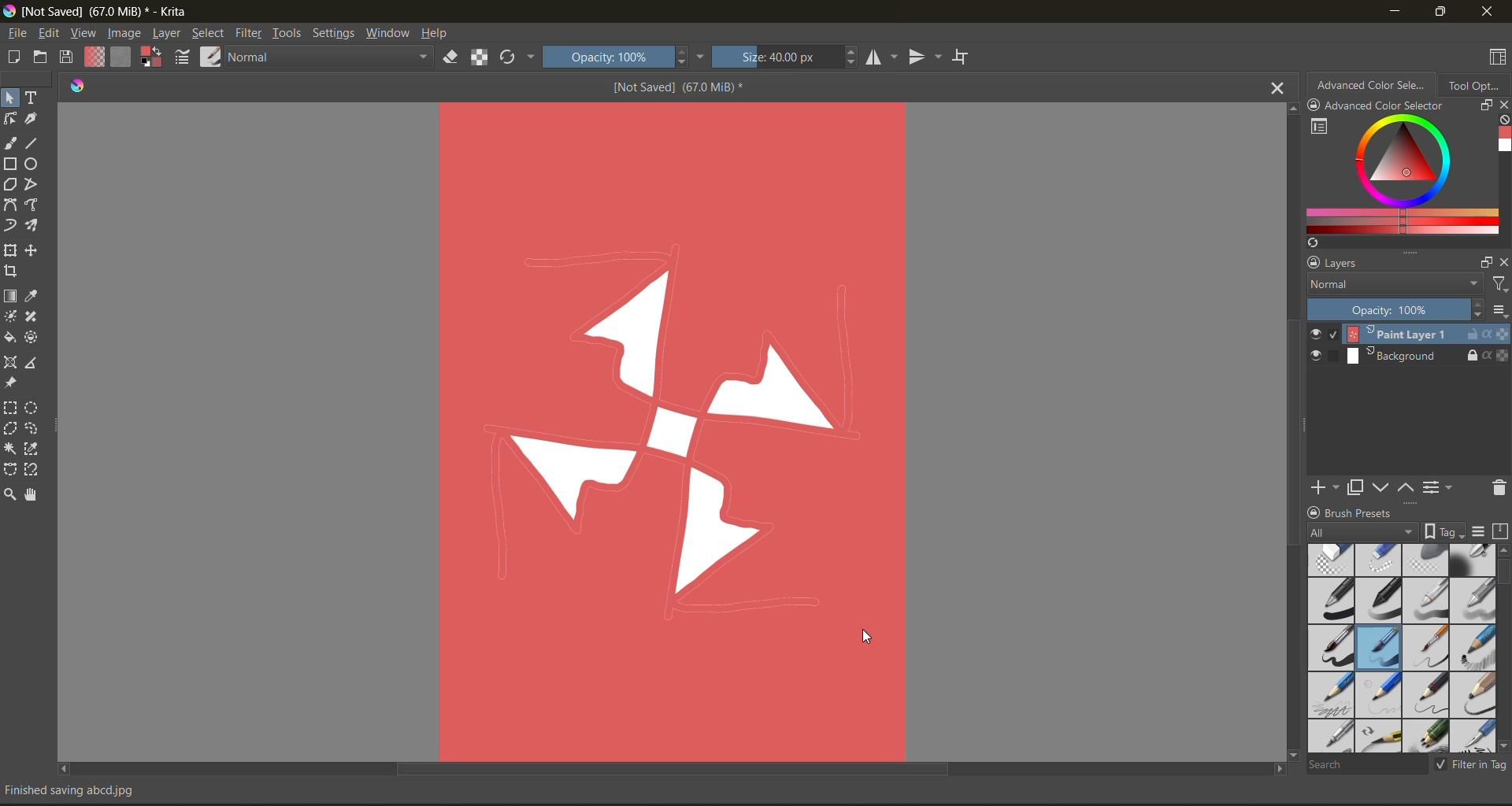 Image resolution: width=1512 pixels, height=806 pixels. What do you see at coordinates (35, 409) in the screenshot?
I see `tools` at bounding box center [35, 409].